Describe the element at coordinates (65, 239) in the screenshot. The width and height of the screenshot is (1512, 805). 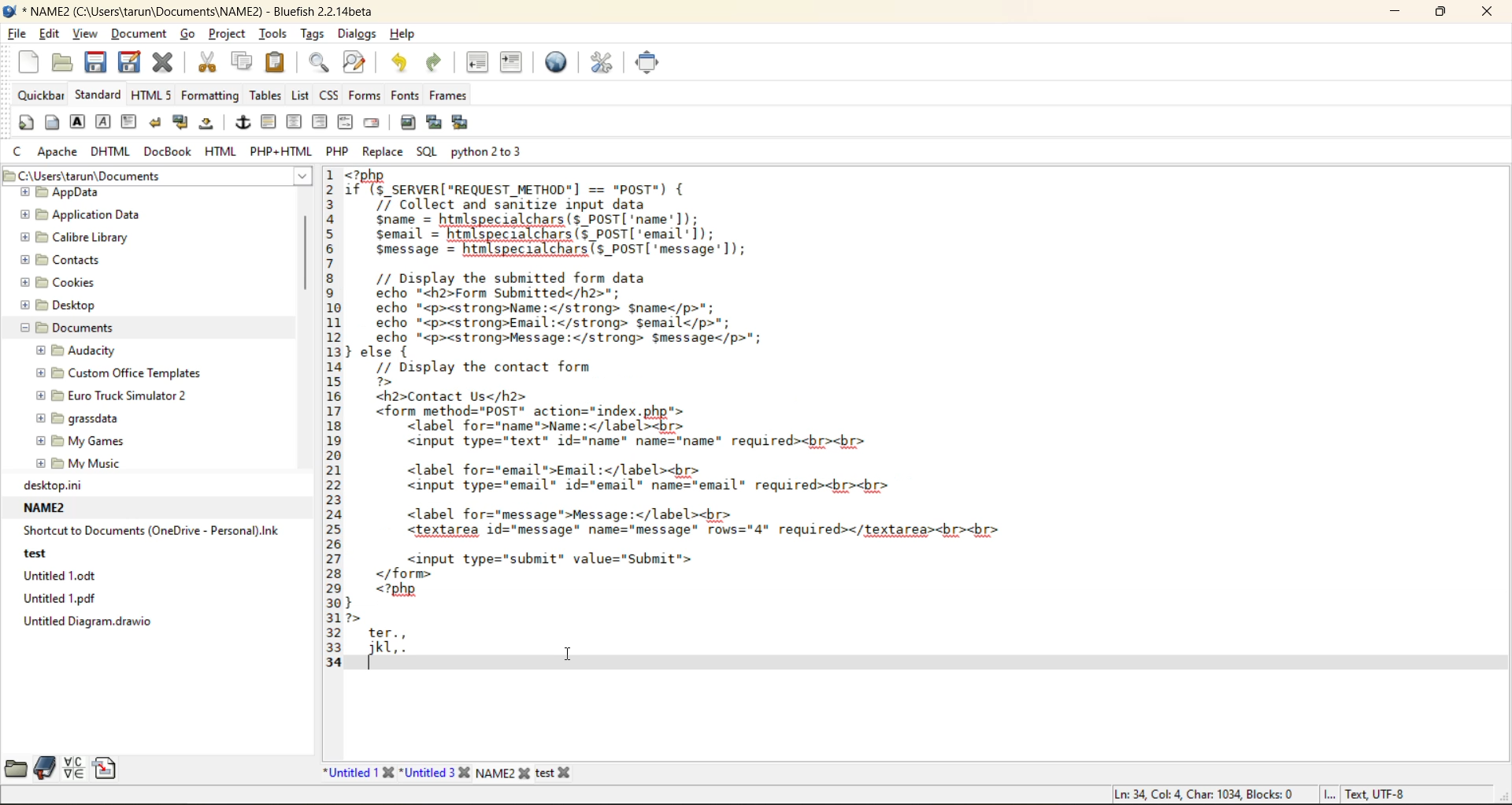
I see `Calibre Library` at that location.